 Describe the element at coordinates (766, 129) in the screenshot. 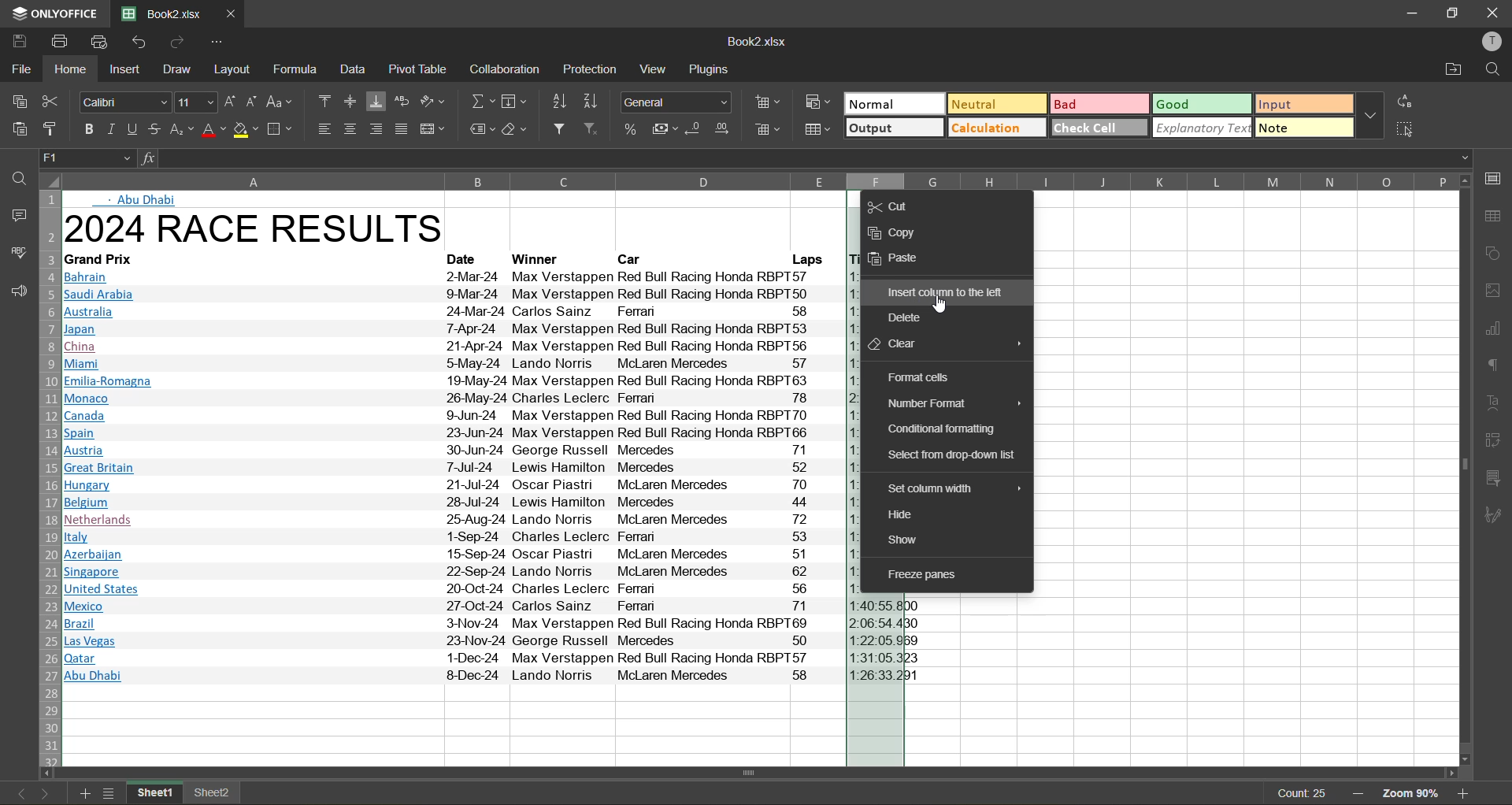

I see `delete cells` at that location.